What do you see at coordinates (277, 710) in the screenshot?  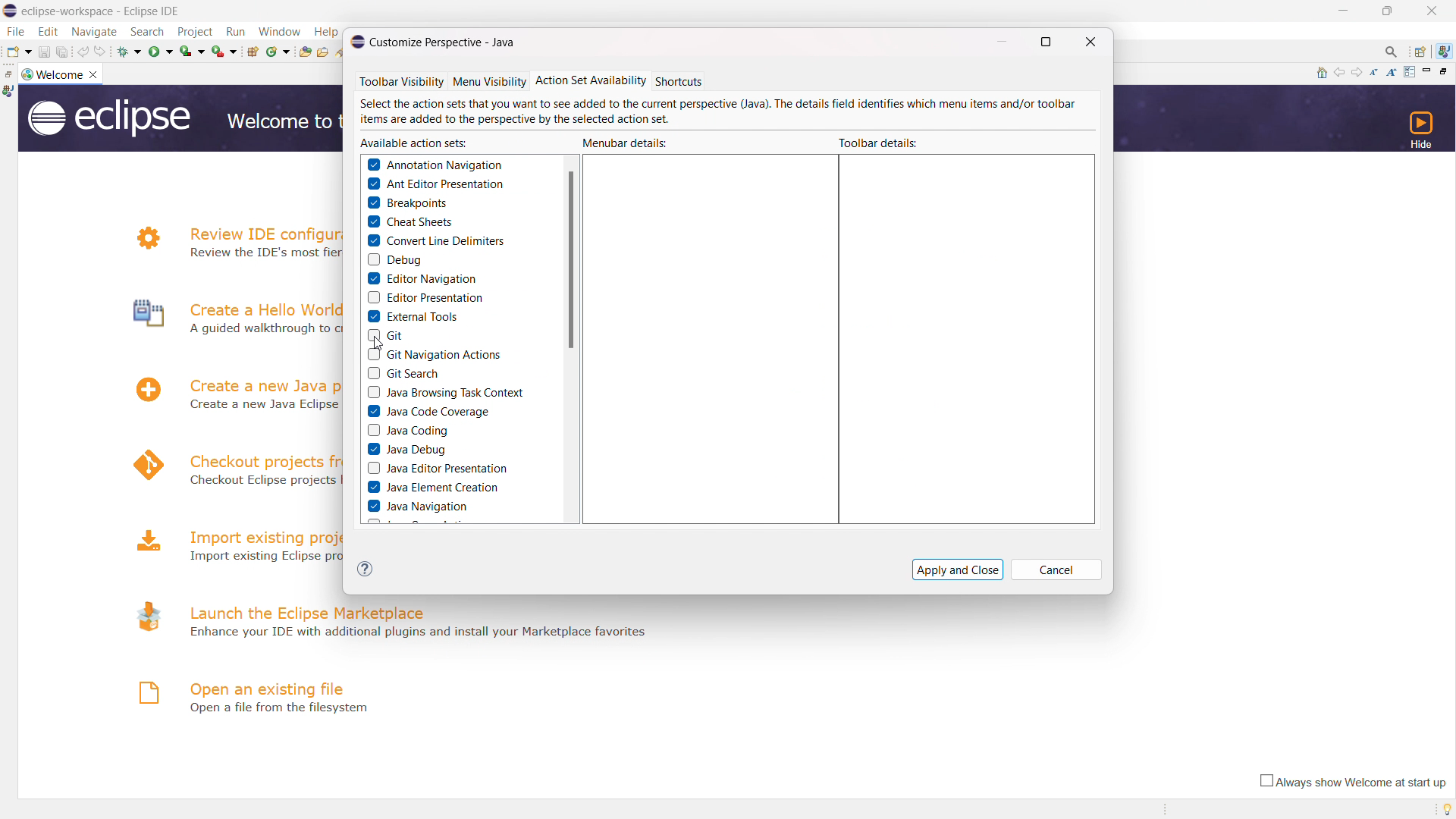 I see `Open a file from filesystem` at bounding box center [277, 710].